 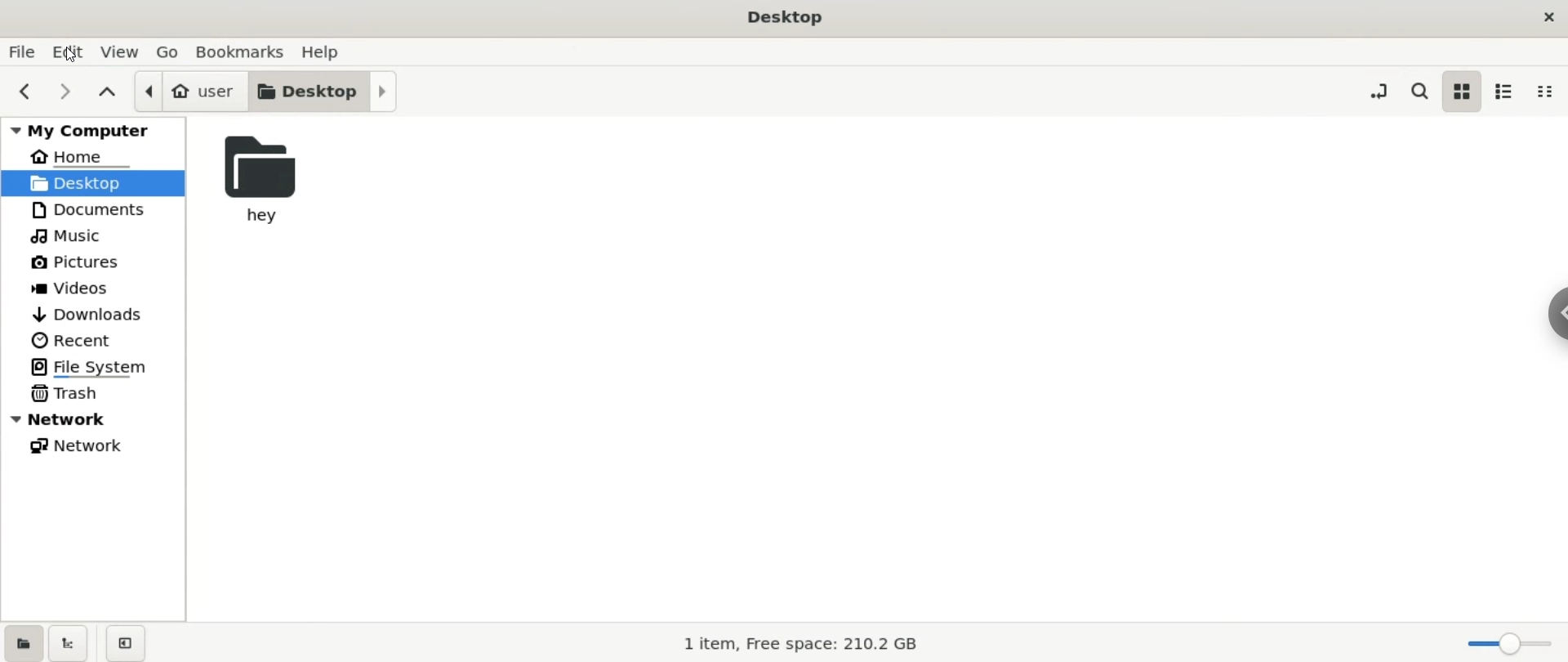 I want to click on compact view, so click(x=1546, y=92).